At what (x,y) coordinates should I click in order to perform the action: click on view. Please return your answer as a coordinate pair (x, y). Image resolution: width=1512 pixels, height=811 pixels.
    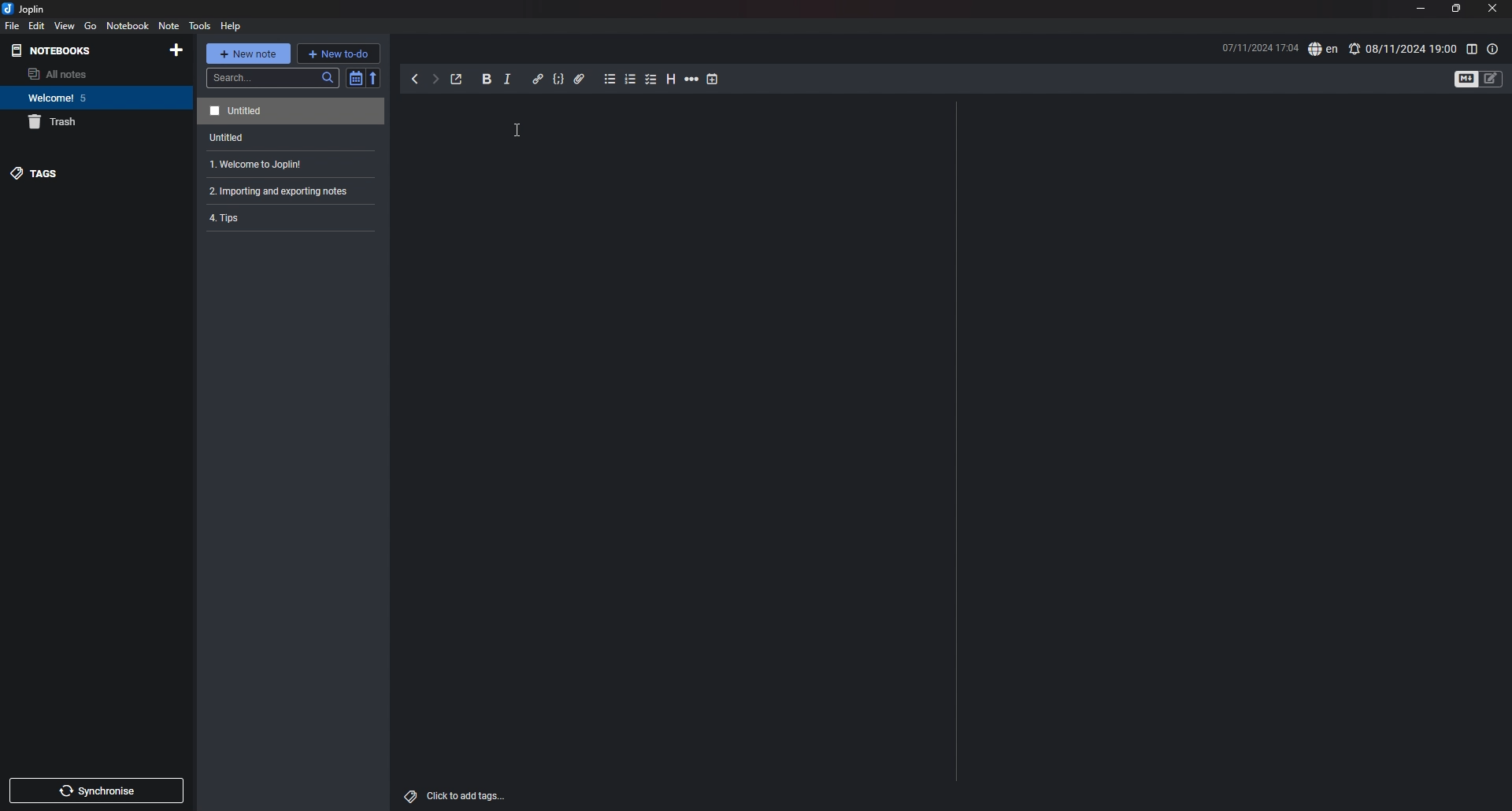
    Looking at the image, I should click on (65, 26).